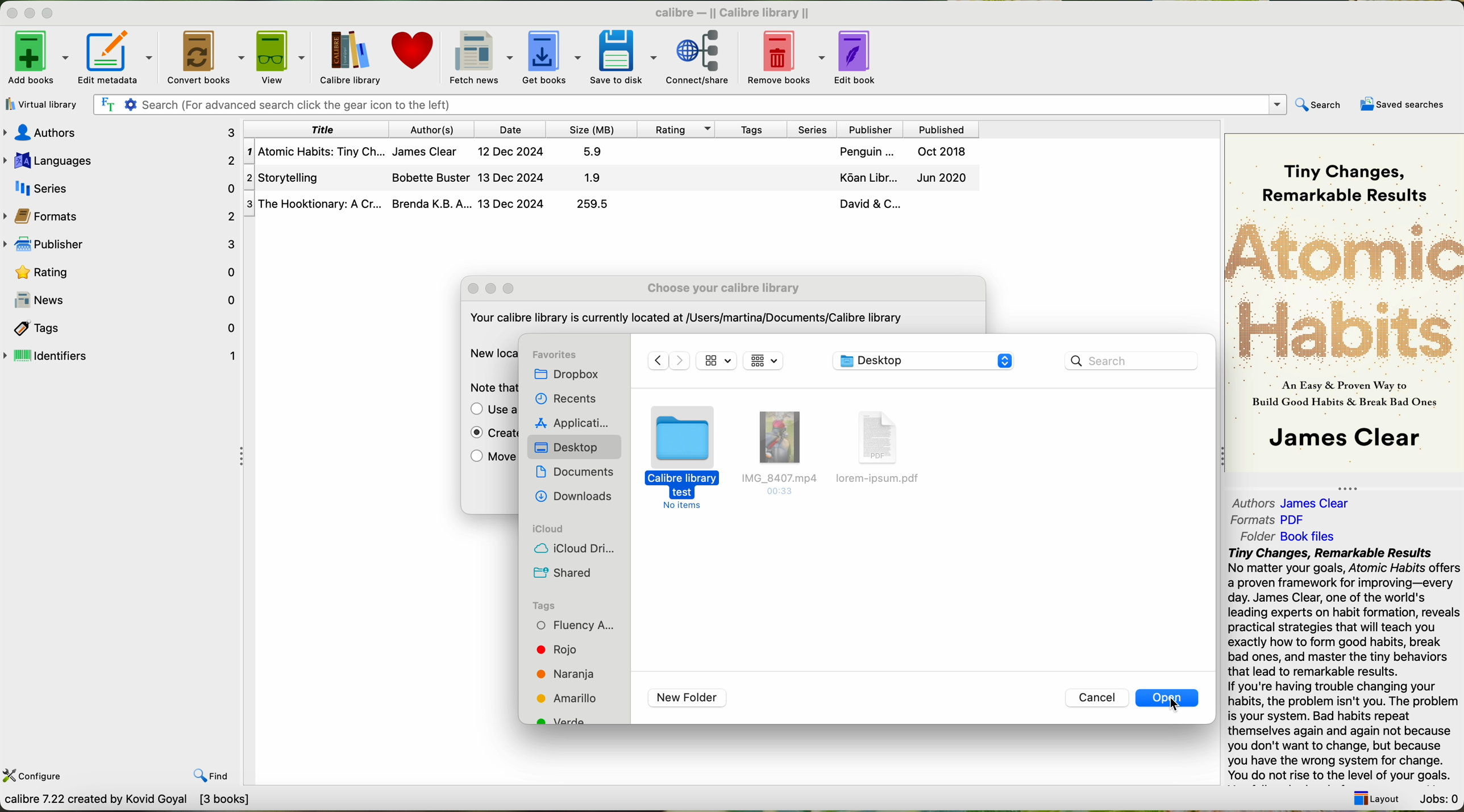  Describe the element at coordinates (120, 186) in the screenshot. I see `series` at that location.